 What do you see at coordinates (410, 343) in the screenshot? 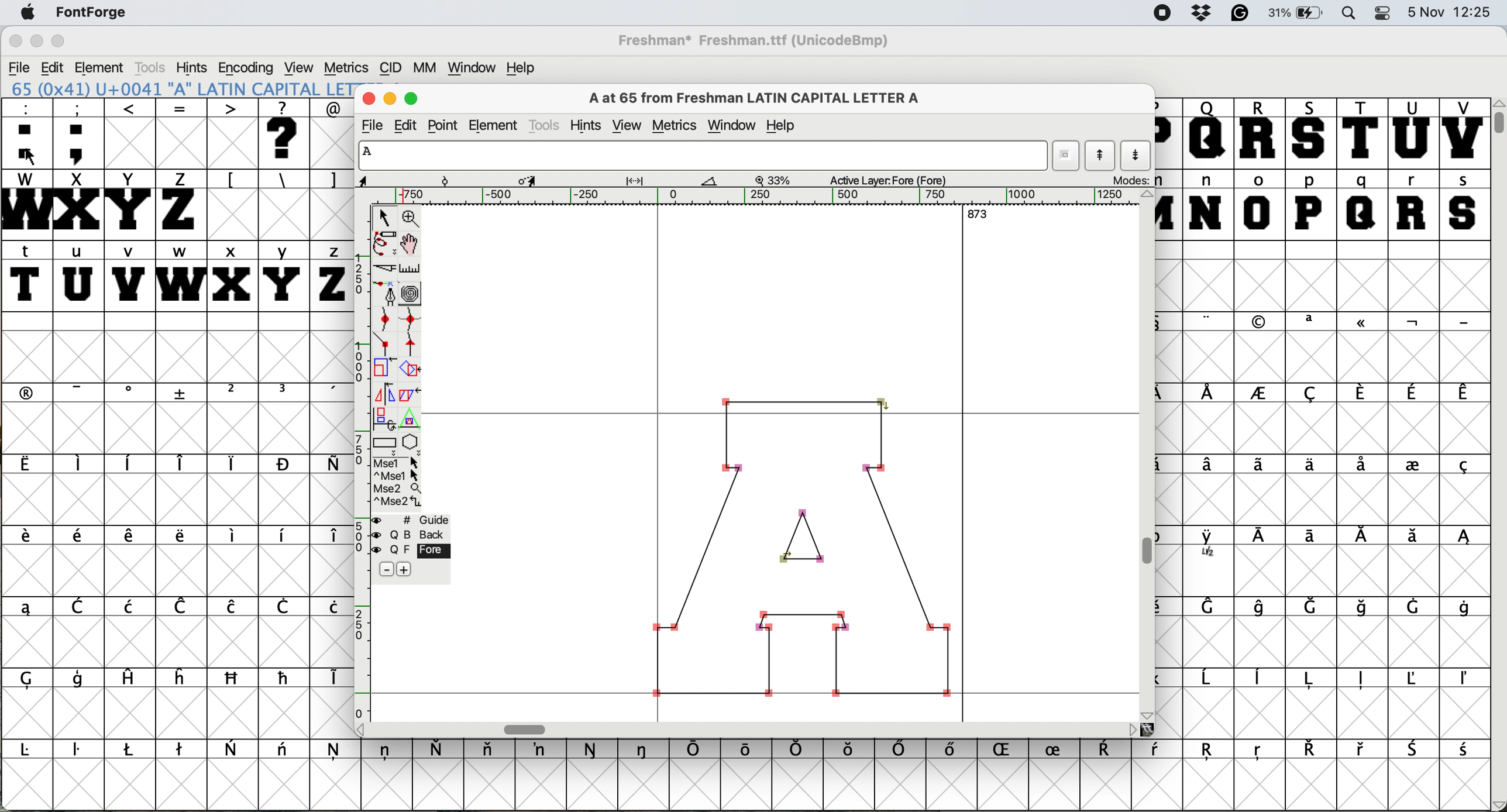
I see `add a tangent point` at bounding box center [410, 343].